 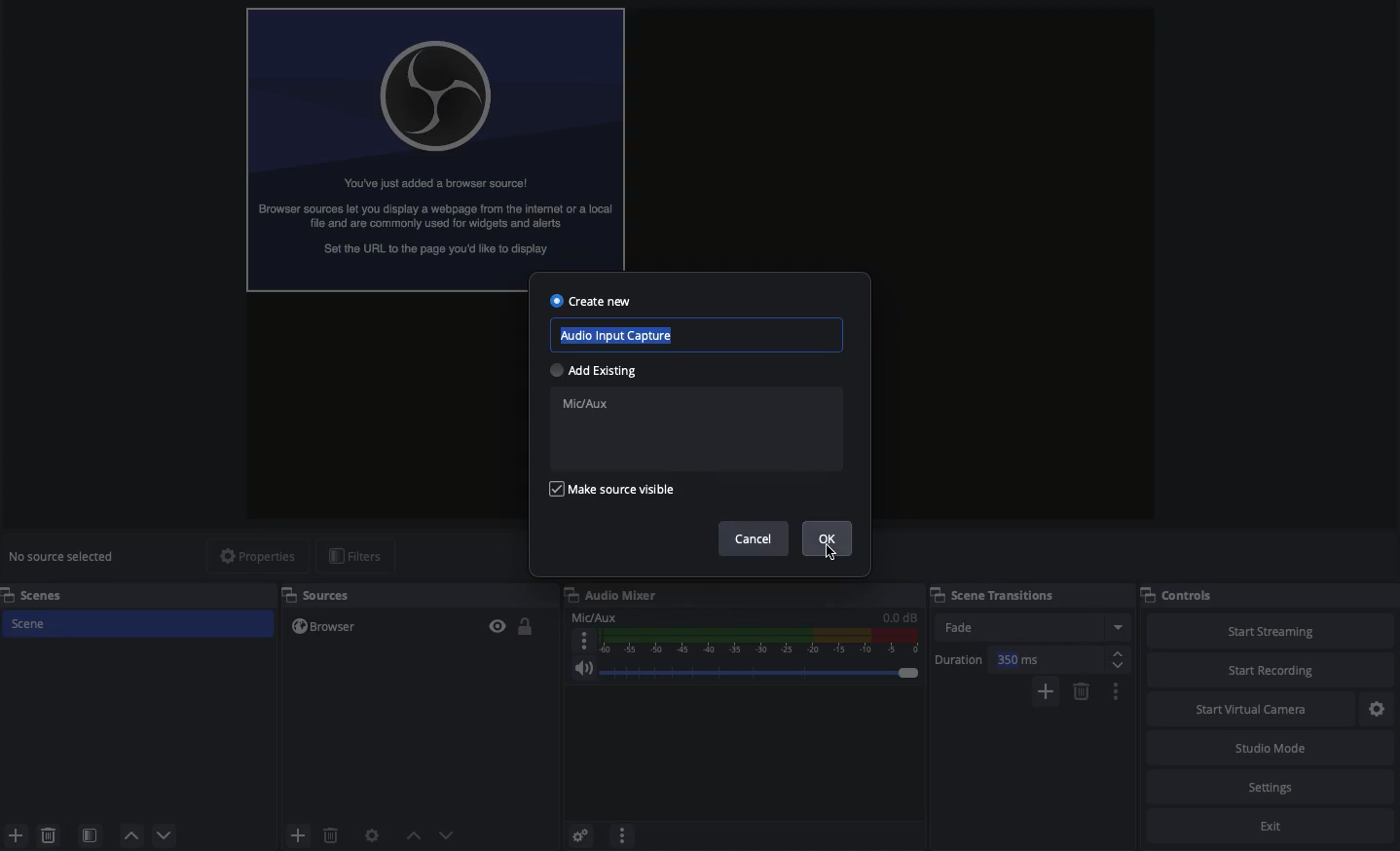 I want to click on Up, so click(x=129, y=835).